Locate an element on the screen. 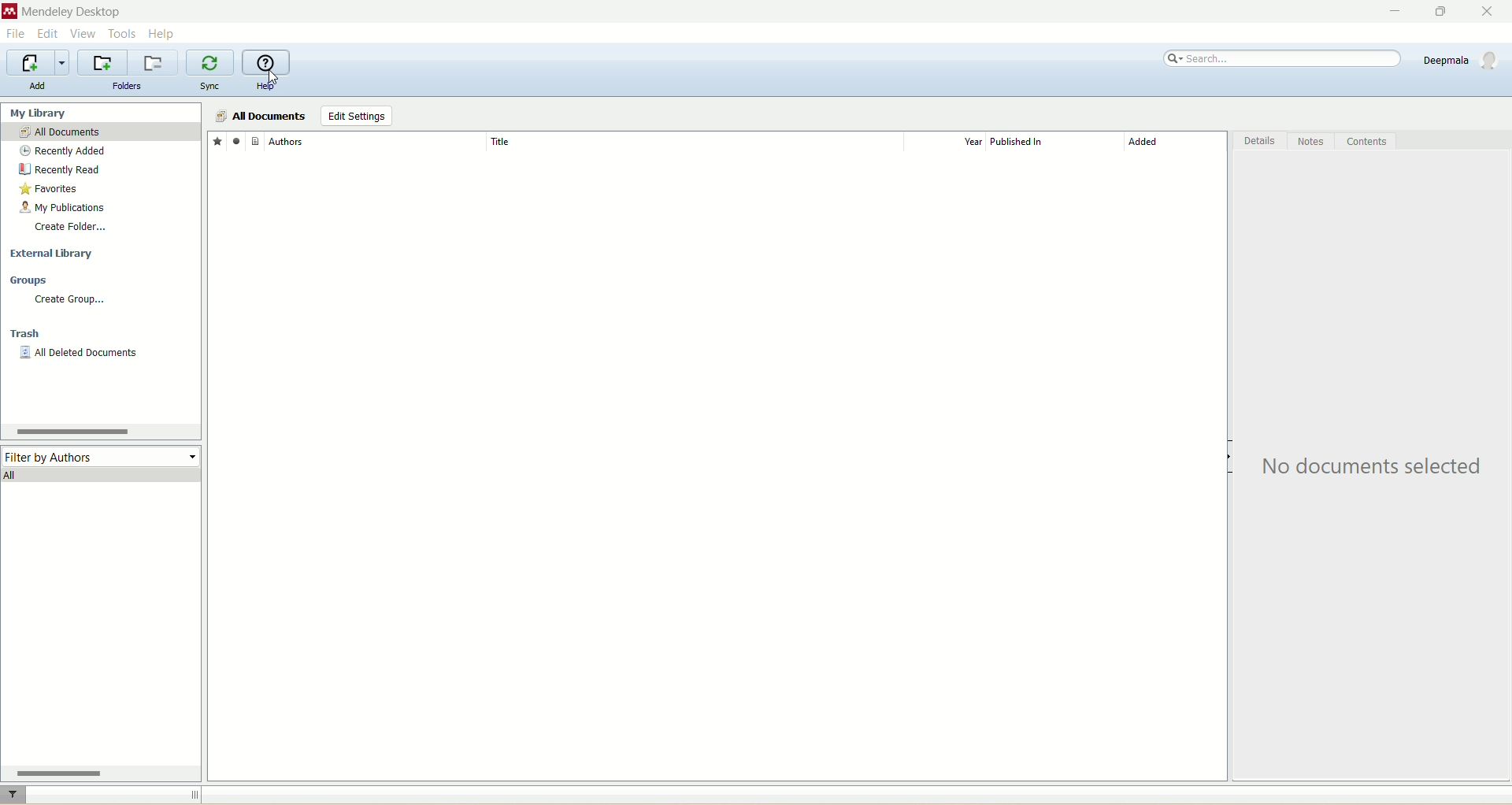 Image resolution: width=1512 pixels, height=805 pixels. recently read is located at coordinates (61, 170).